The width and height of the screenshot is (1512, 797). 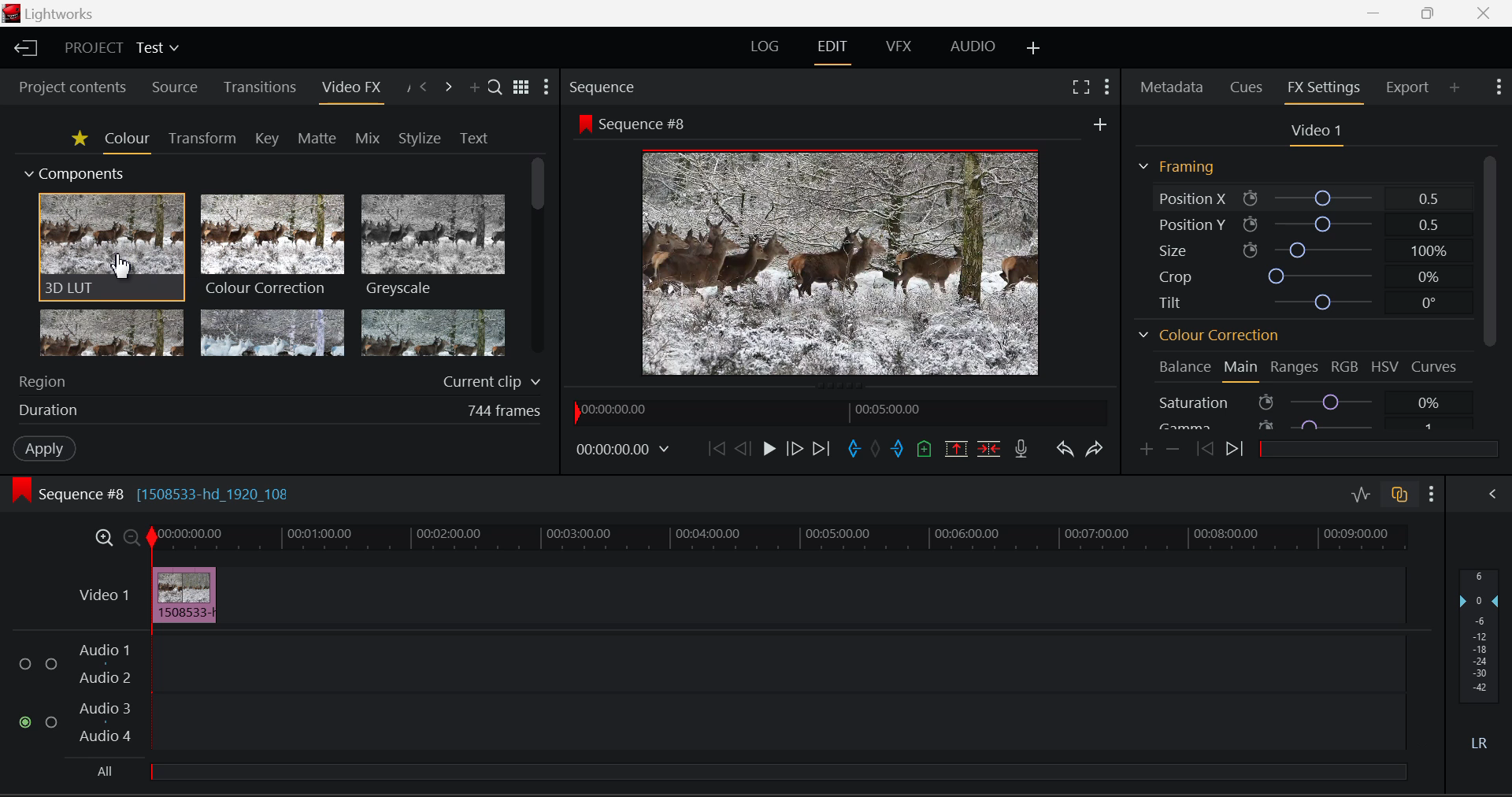 I want to click on Crop, so click(x=1313, y=276).